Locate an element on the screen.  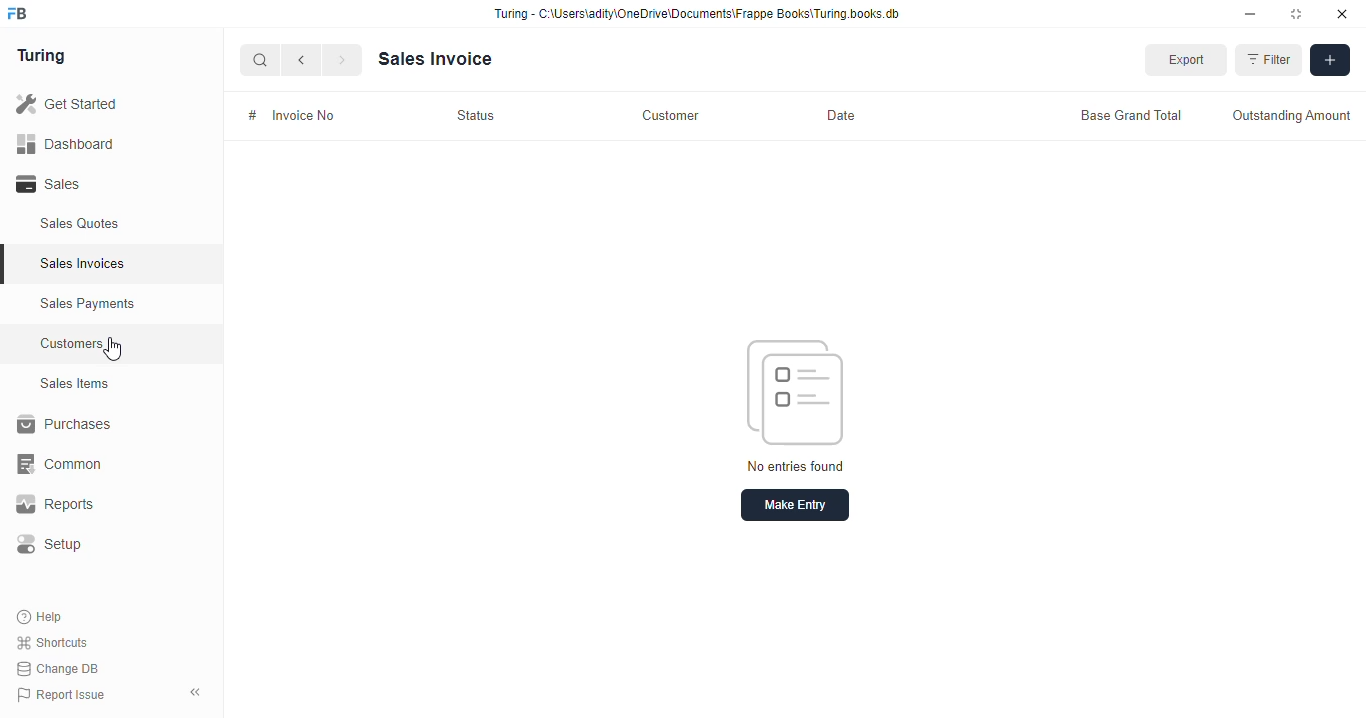
# Invoice No is located at coordinates (302, 114).